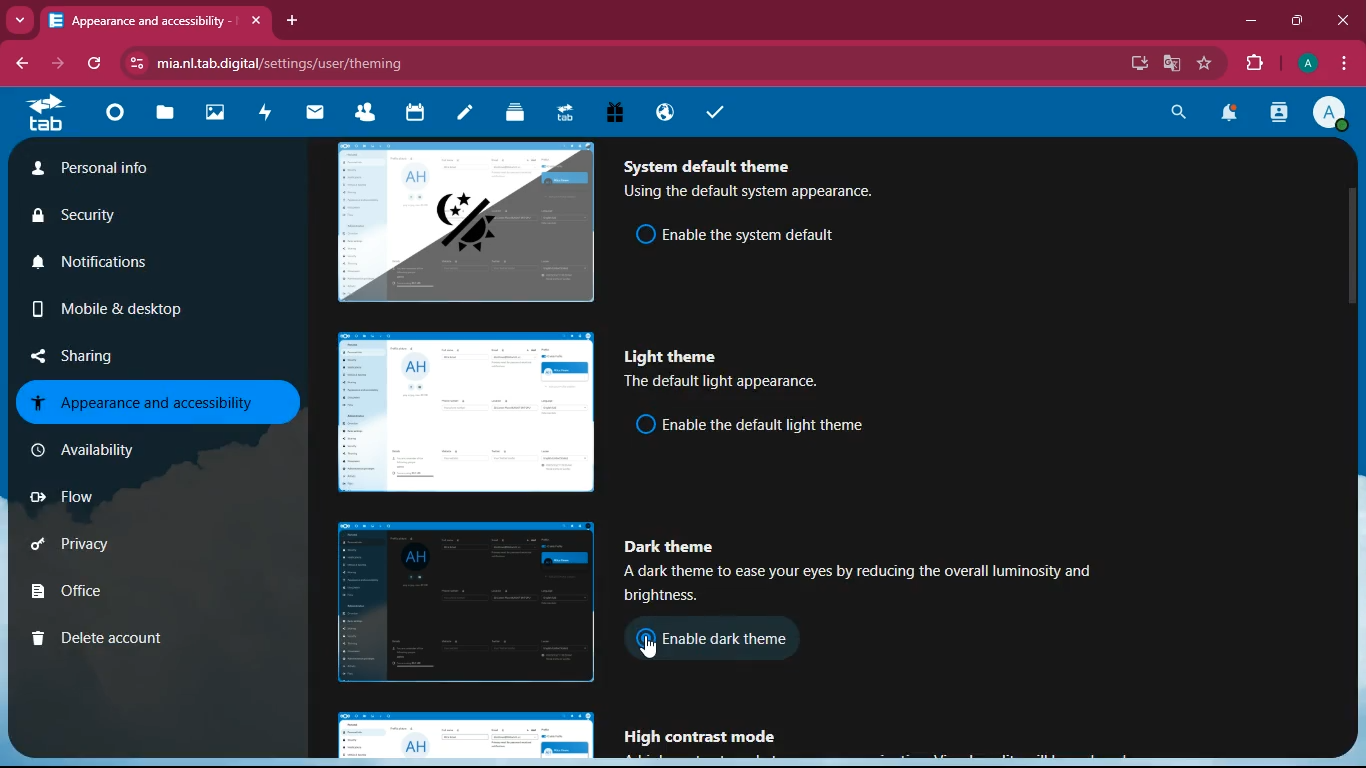 The width and height of the screenshot is (1366, 768). Describe the element at coordinates (515, 115) in the screenshot. I see `layers` at that location.